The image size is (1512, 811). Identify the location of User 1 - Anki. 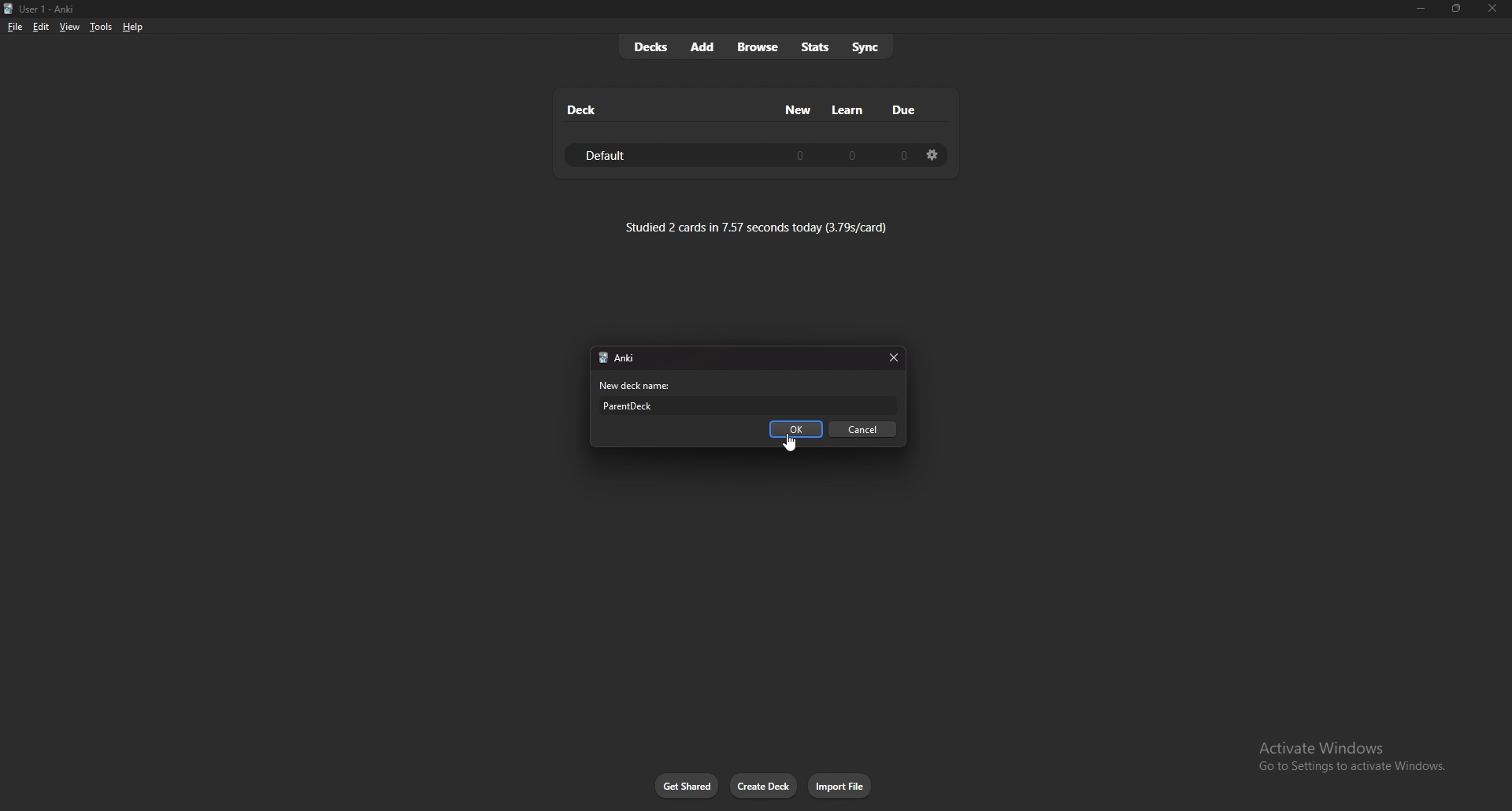
(52, 9).